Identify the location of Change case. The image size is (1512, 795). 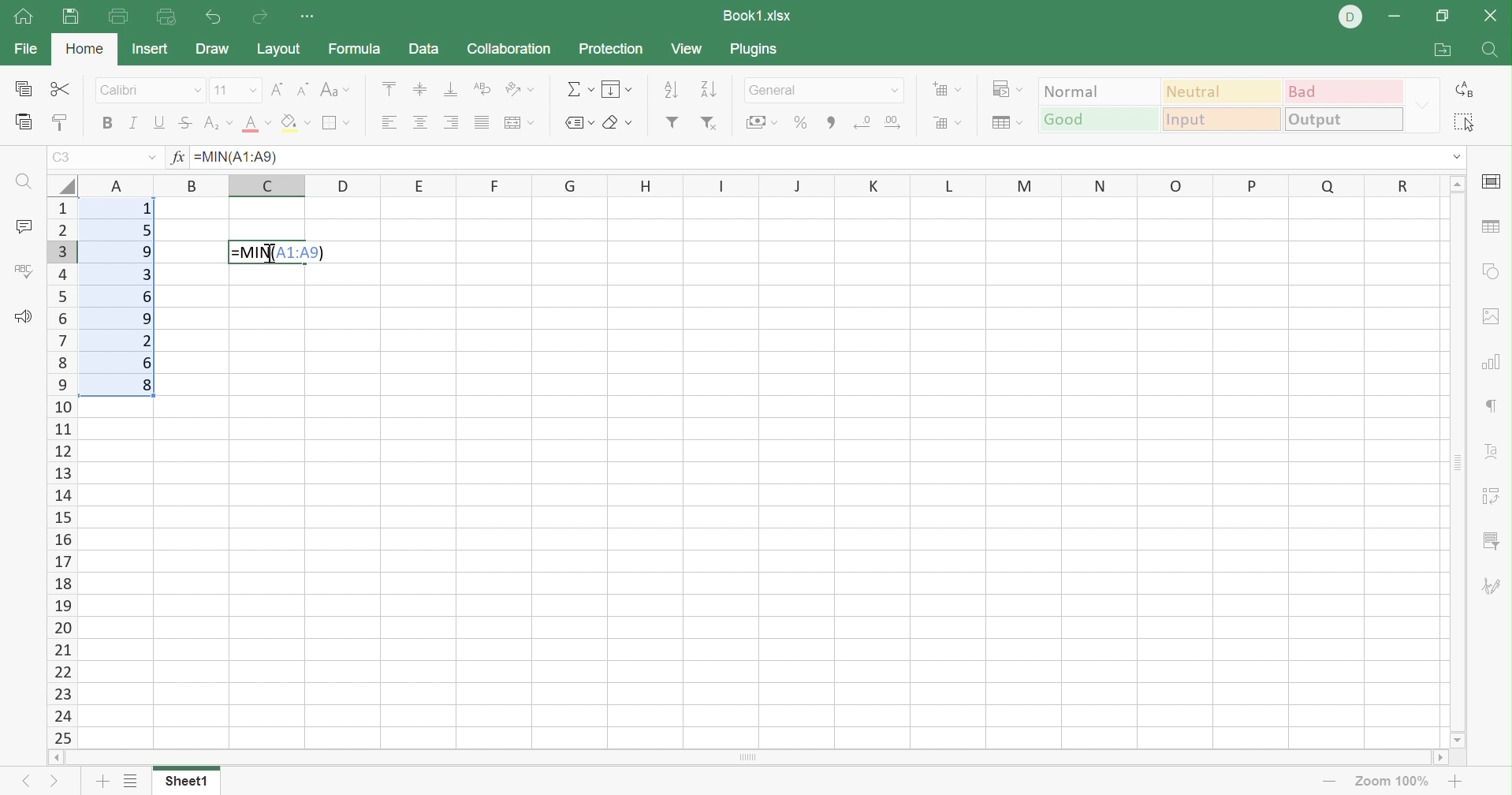
(338, 88).